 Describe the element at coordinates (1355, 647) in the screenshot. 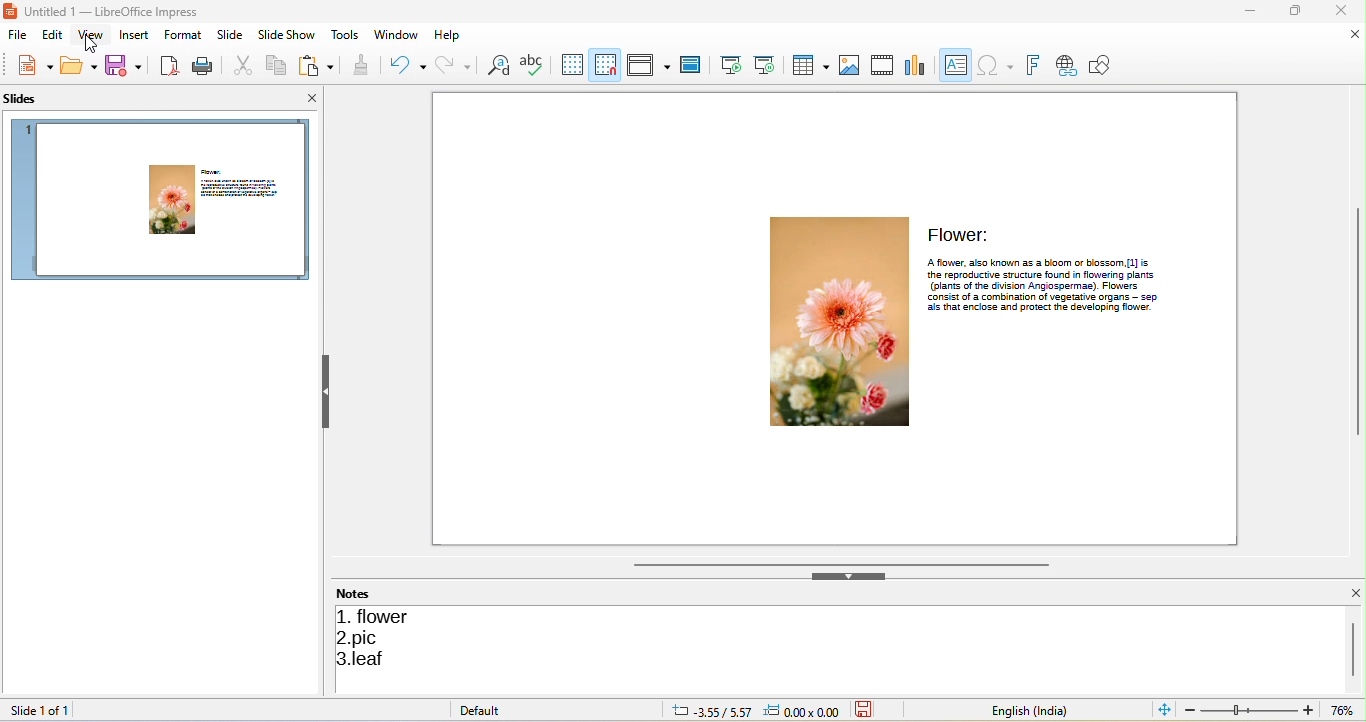

I see `vertical scroll bar` at that location.